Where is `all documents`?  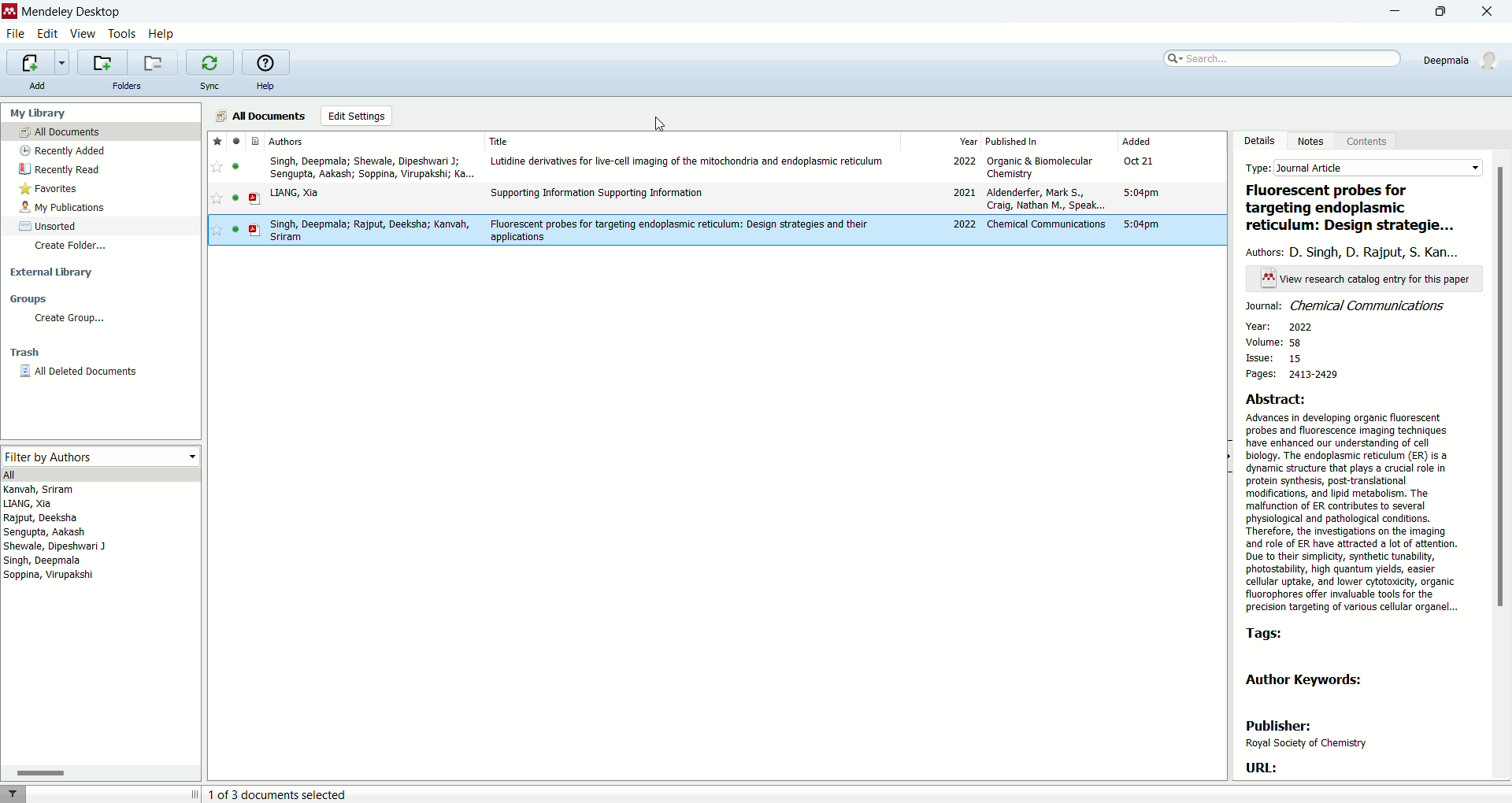
all documents is located at coordinates (261, 114).